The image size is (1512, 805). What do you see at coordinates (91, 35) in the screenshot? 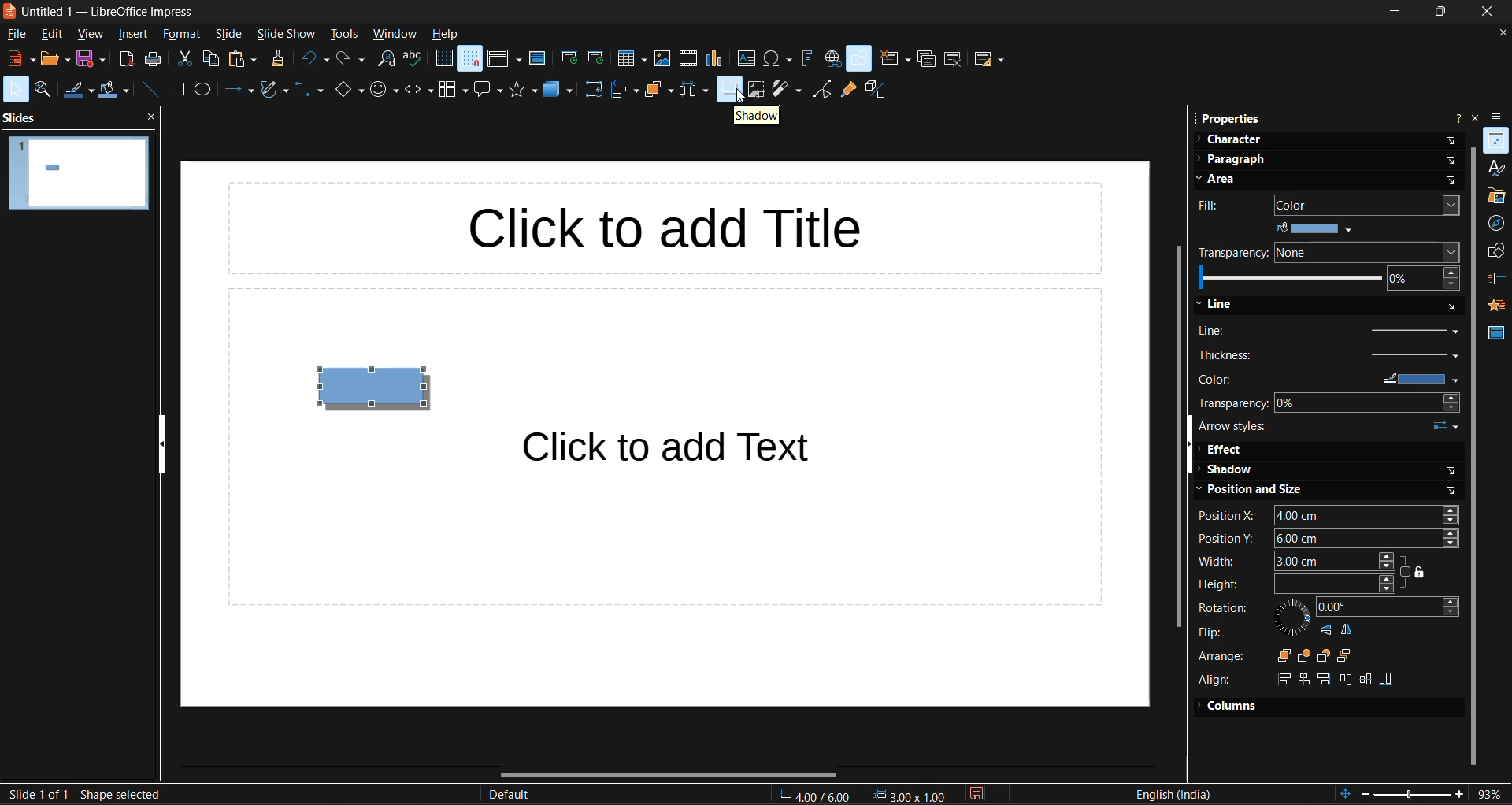
I see `view` at bounding box center [91, 35].